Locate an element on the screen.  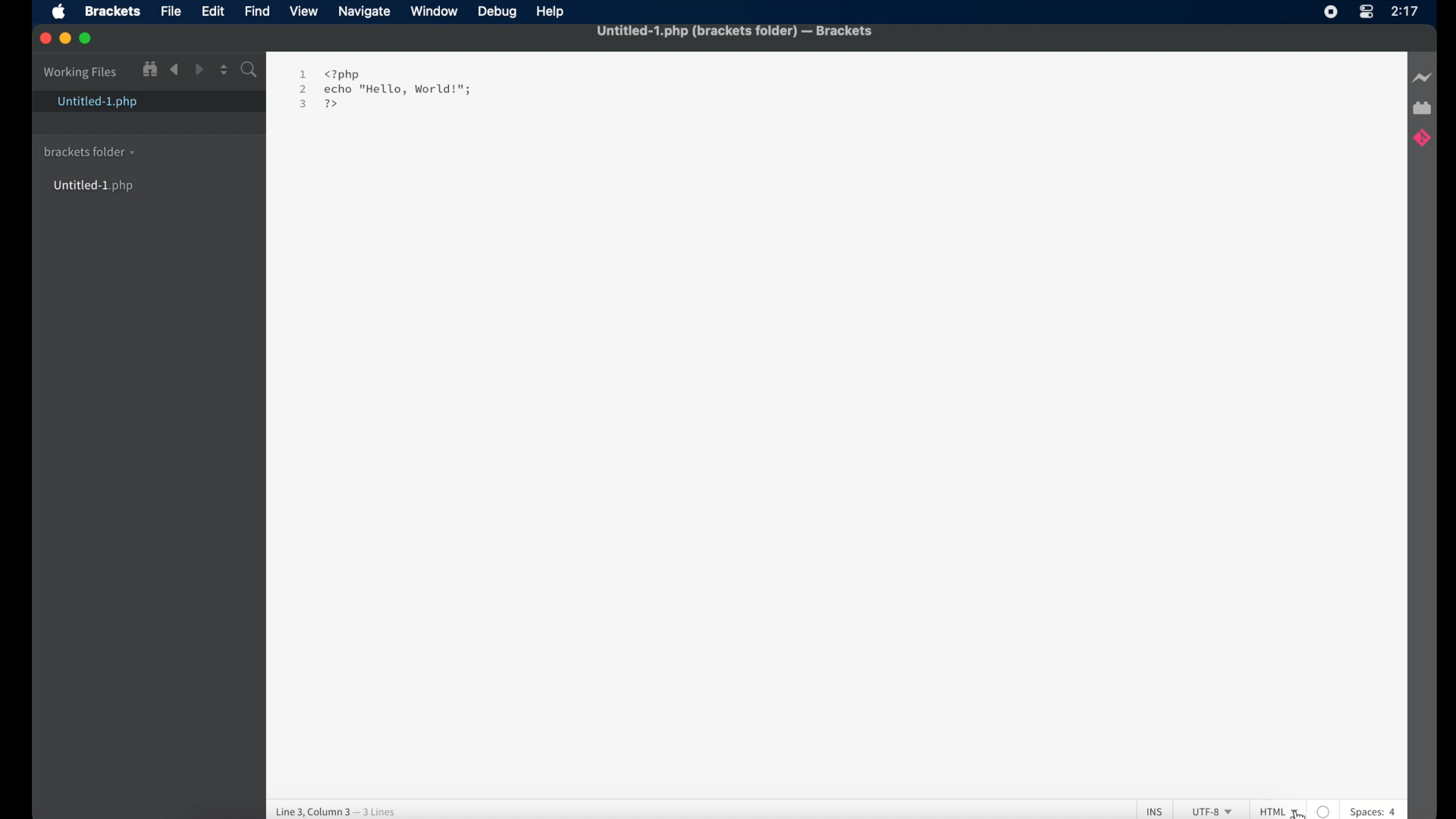
working files is located at coordinates (81, 74).